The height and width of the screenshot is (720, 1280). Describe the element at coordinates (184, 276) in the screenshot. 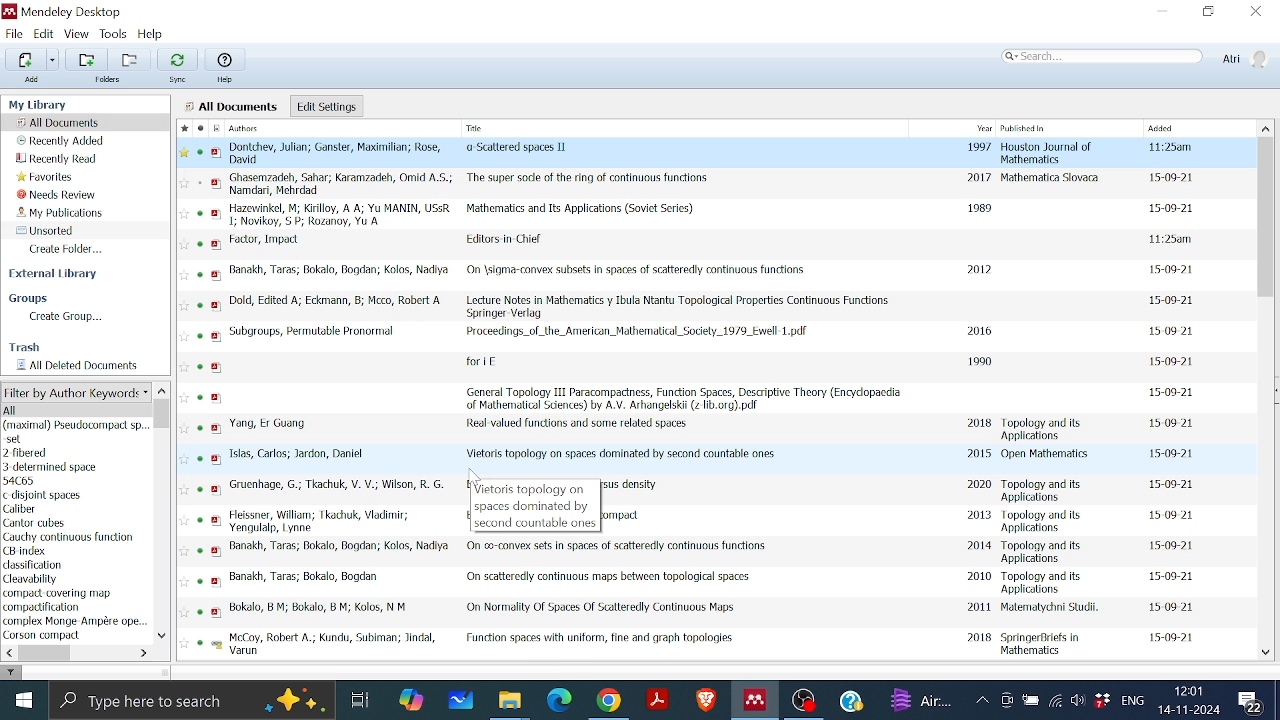

I see `Favourite` at that location.